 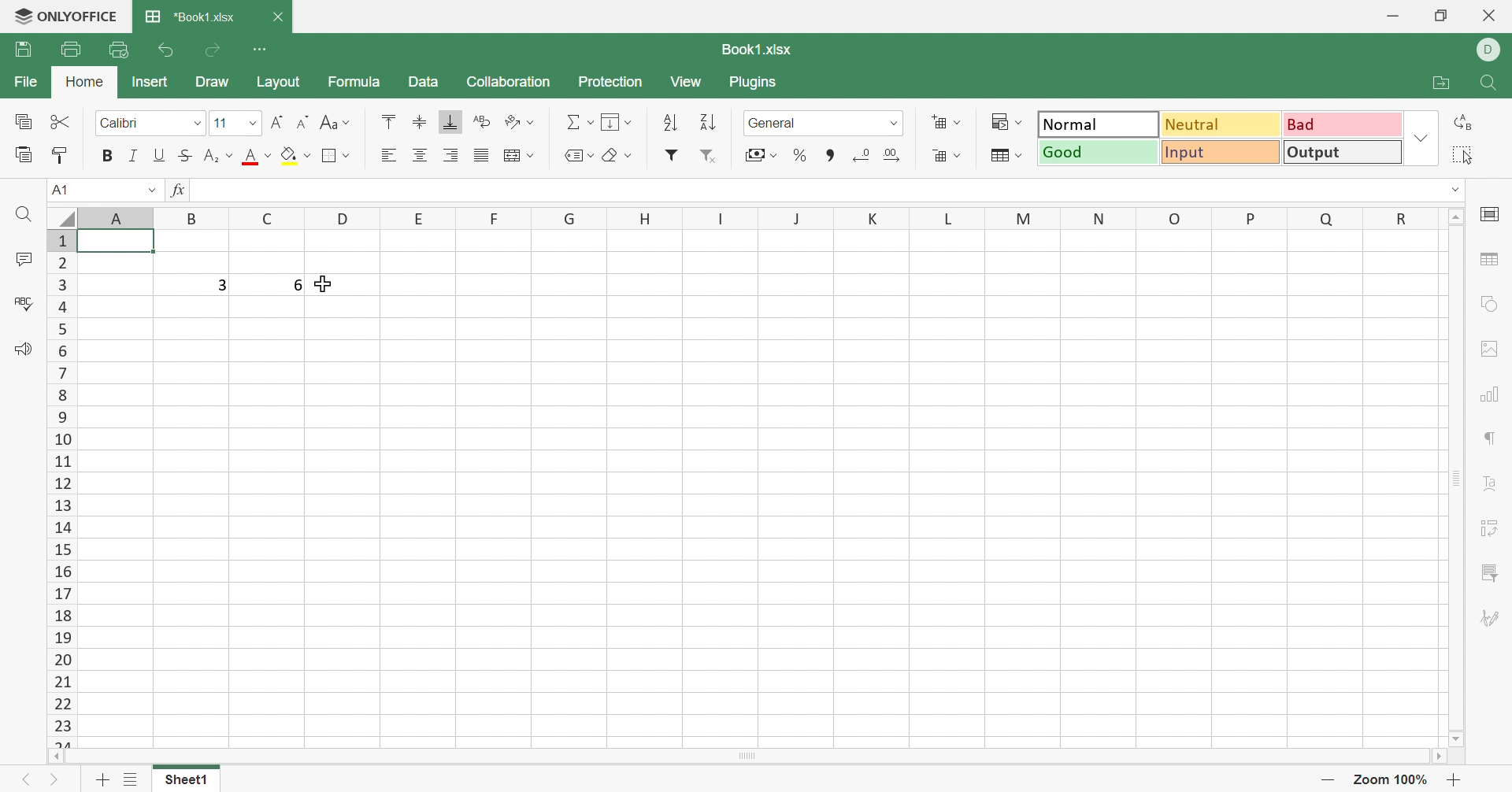 What do you see at coordinates (24, 260) in the screenshot?
I see `Comments` at bounding box center [24, 260].